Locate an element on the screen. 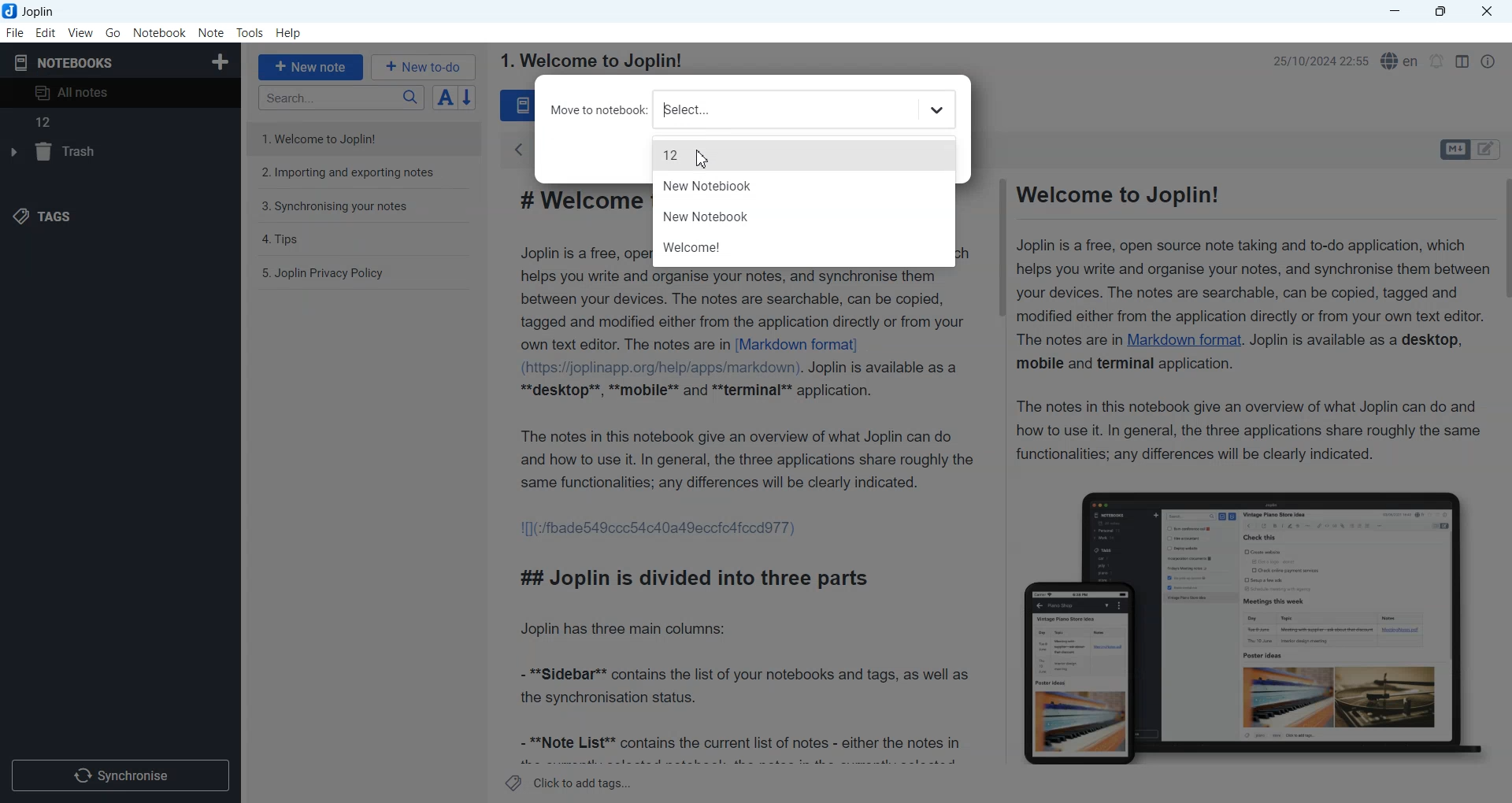 Image resolution: width=1512 pixels, height=803 pixels. Minimize is located at coordinates (1395, 12).